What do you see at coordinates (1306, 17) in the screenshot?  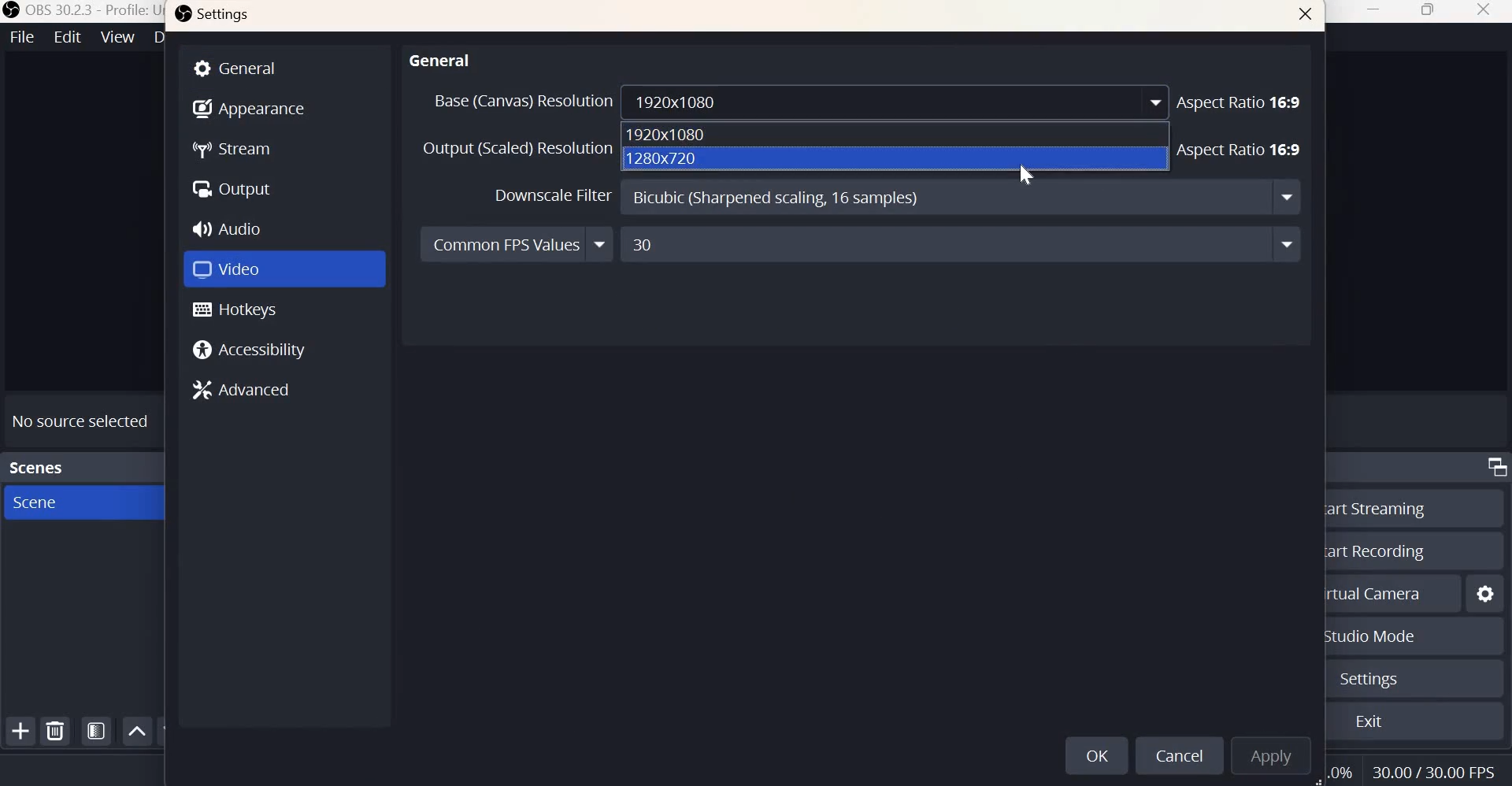 I see `close` at bounding box center [1306, 17].